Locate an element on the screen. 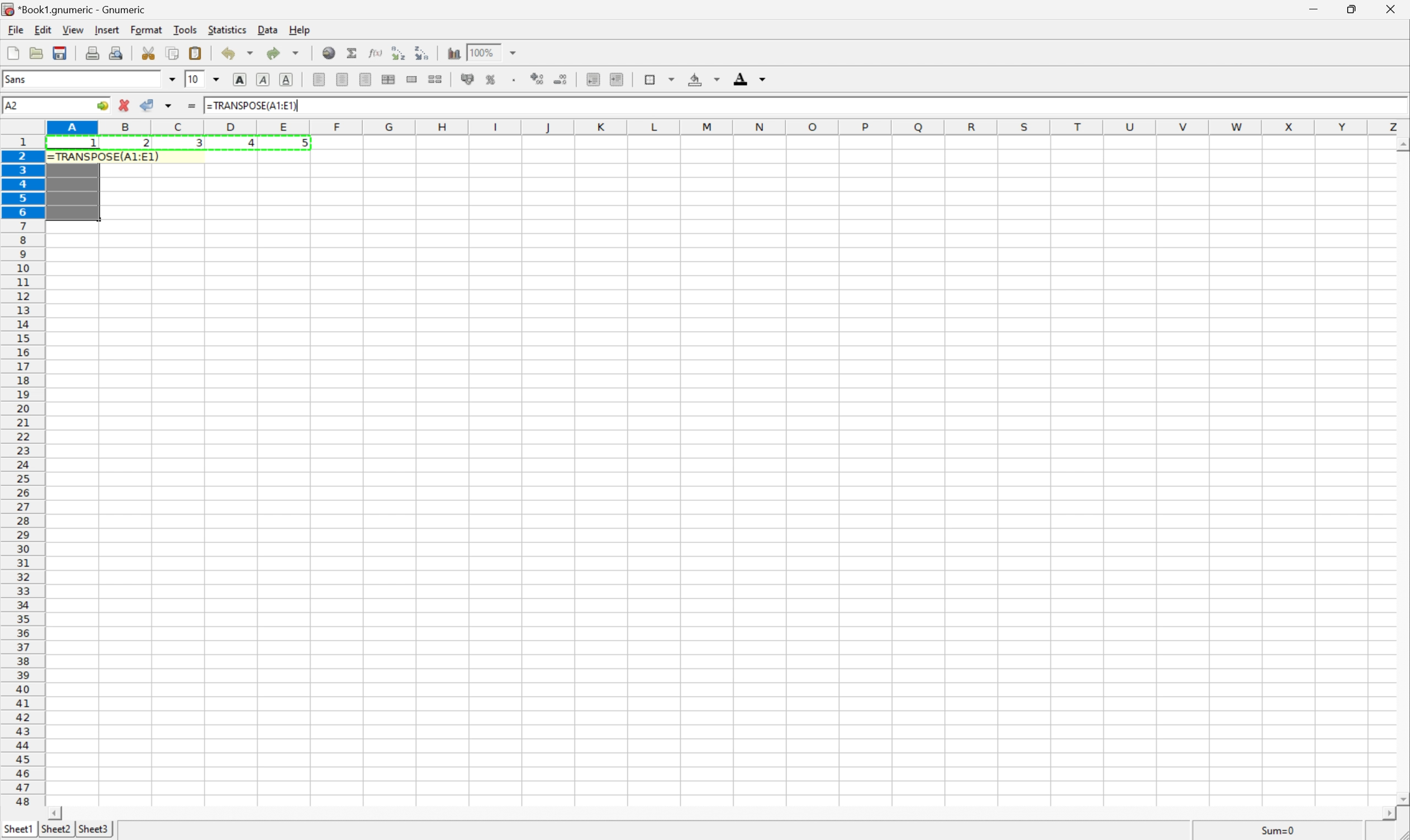 The width and height of the screenshot is (1410, 840). scroll right is located at coordinates (1390, 815).